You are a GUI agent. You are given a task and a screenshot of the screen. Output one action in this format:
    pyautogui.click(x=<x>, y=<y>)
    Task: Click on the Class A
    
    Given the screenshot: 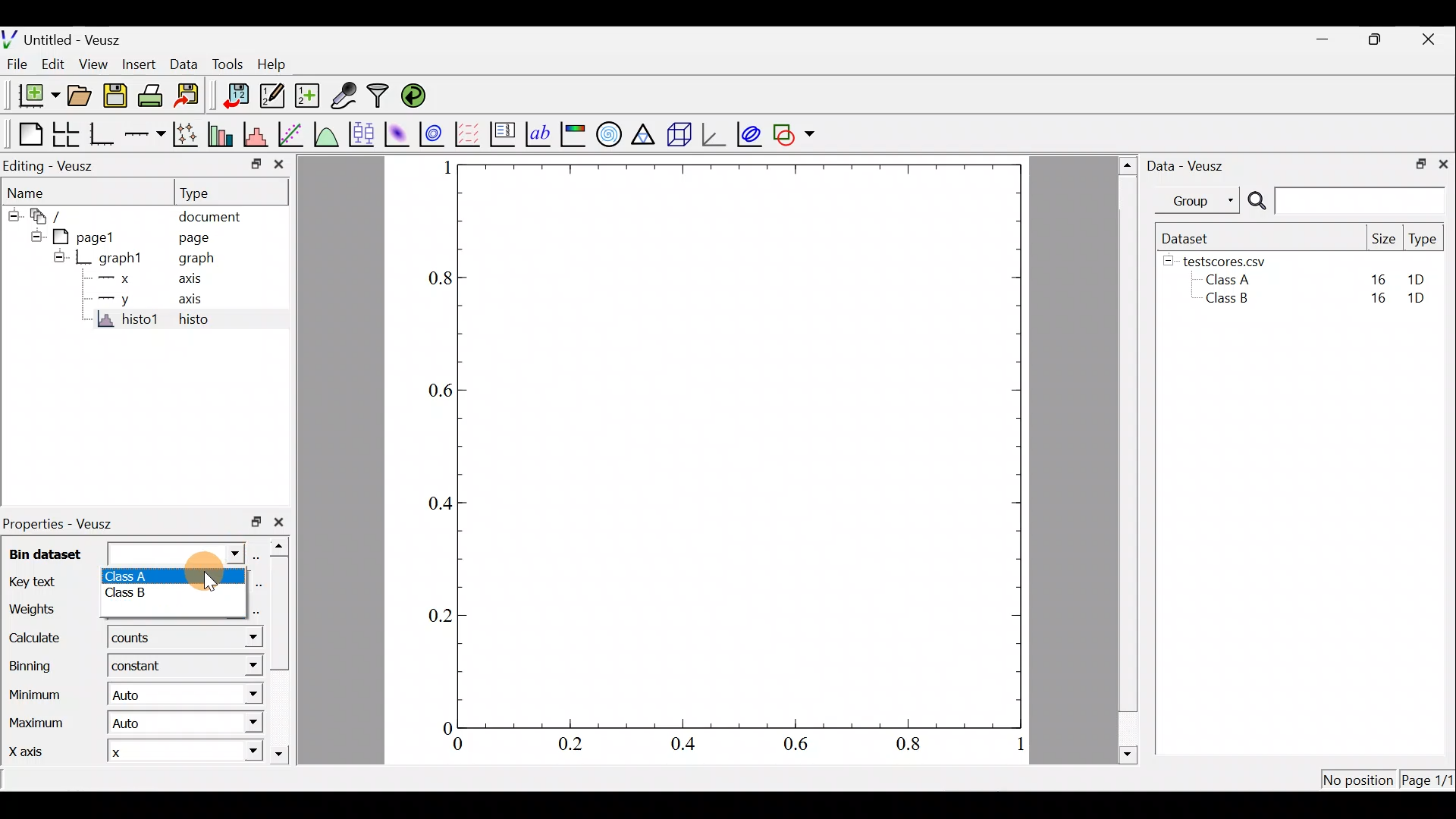 What is the action you would take?
    pyautogui.click(x=1232, y=279)
    